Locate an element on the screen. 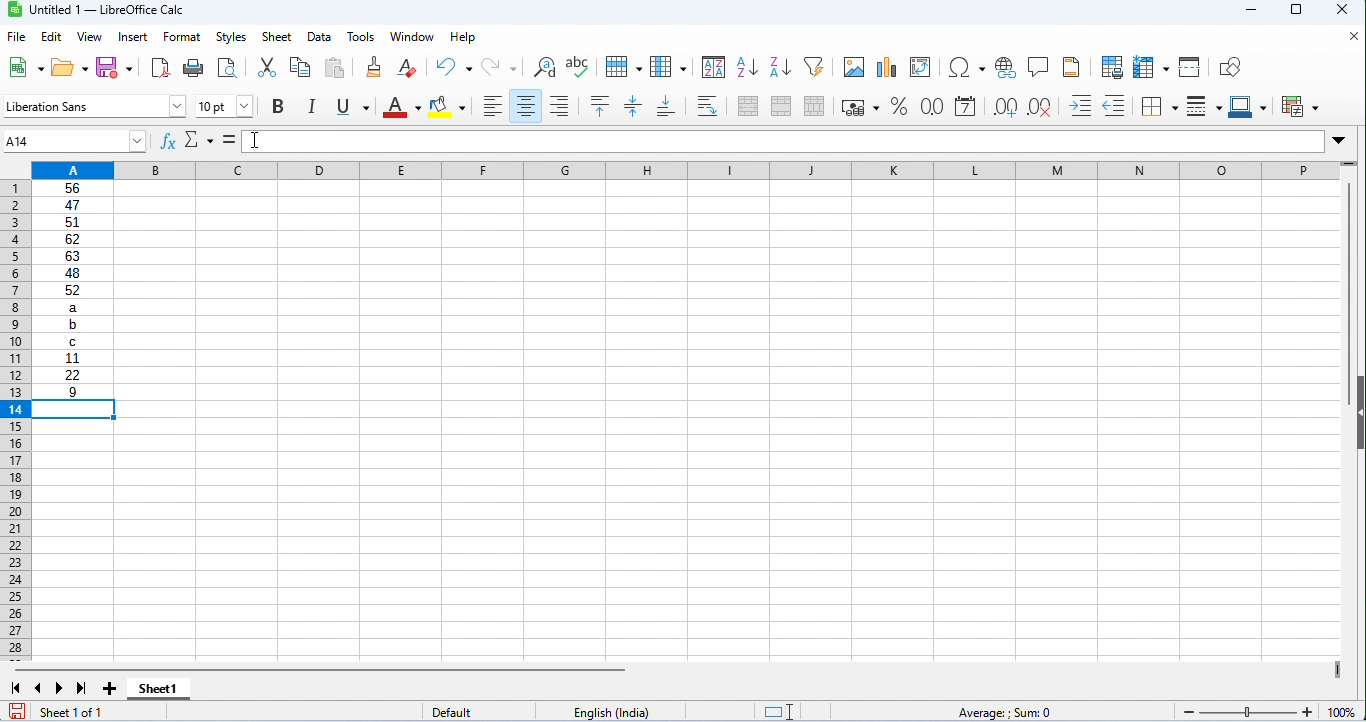  define print area is located at coordinates (1112, 66).